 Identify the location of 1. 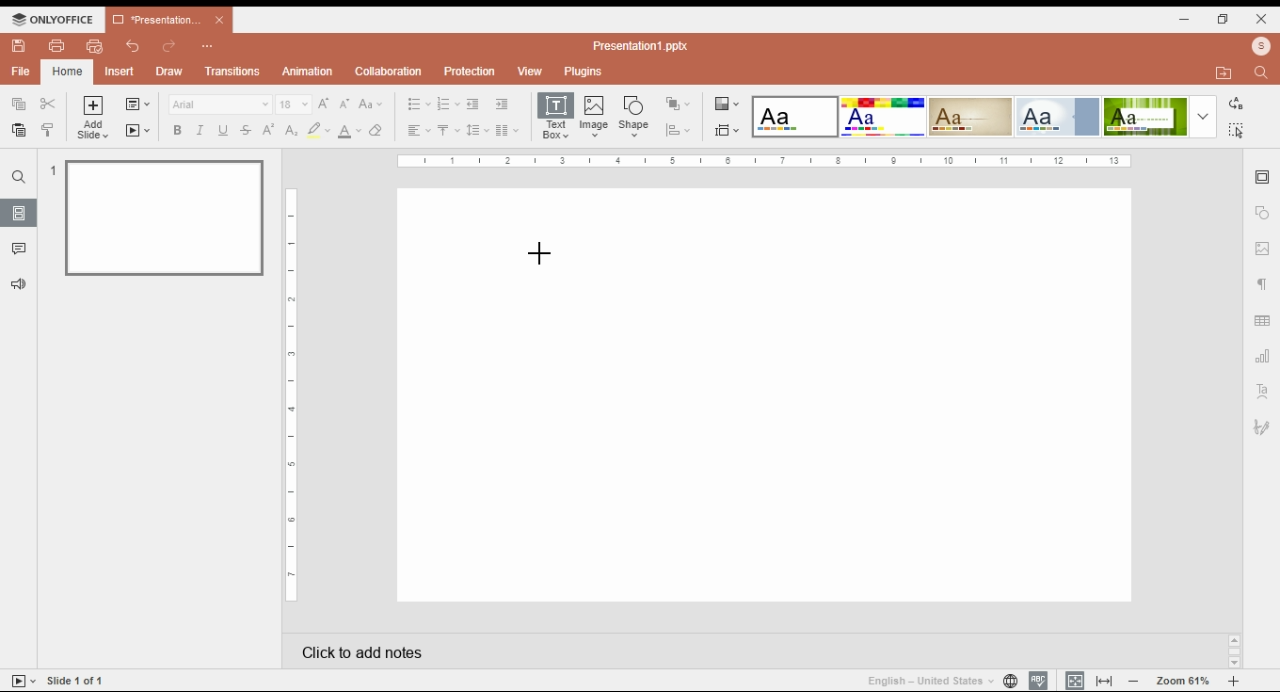
(51, 170).